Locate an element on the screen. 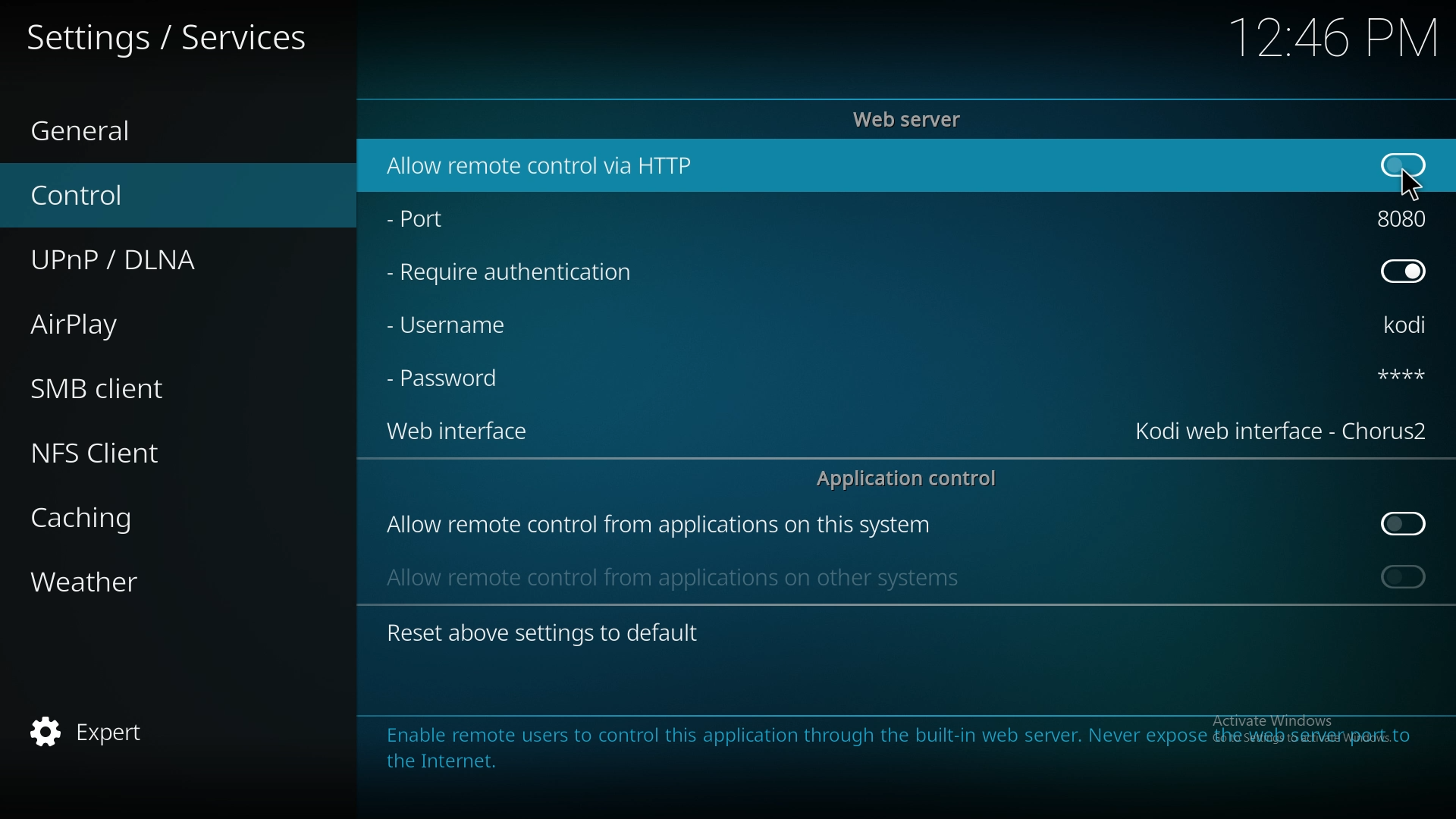 The image size is (1456, 819). smb client is located at coordinates (132, 383).